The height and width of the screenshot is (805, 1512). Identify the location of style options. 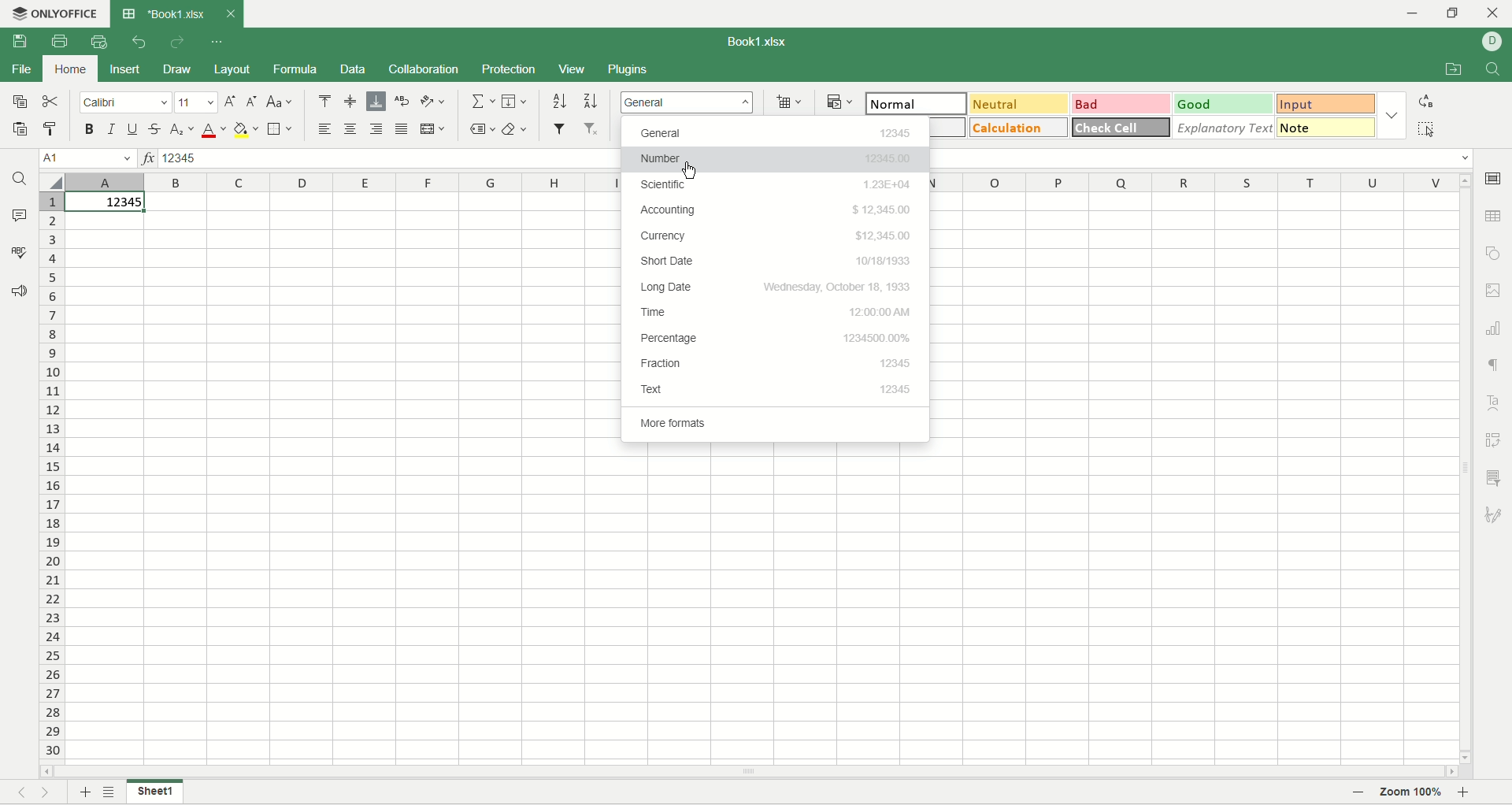
(1394, 114).